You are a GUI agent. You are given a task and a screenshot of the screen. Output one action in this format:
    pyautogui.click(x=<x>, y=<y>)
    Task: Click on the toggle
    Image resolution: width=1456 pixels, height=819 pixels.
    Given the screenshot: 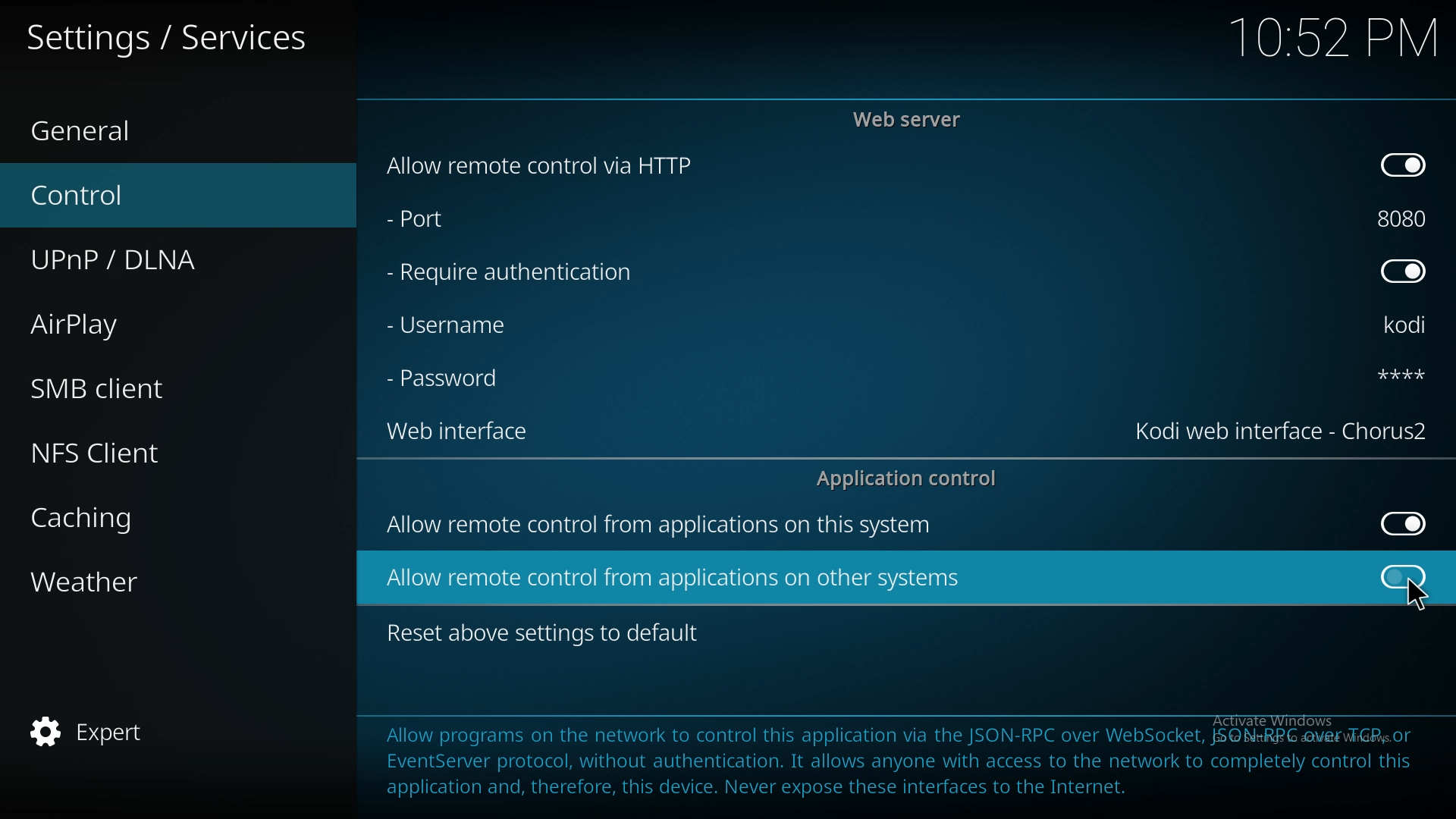 What is the action you would take?
    pyautogui.click(x=1406, y=576)
    